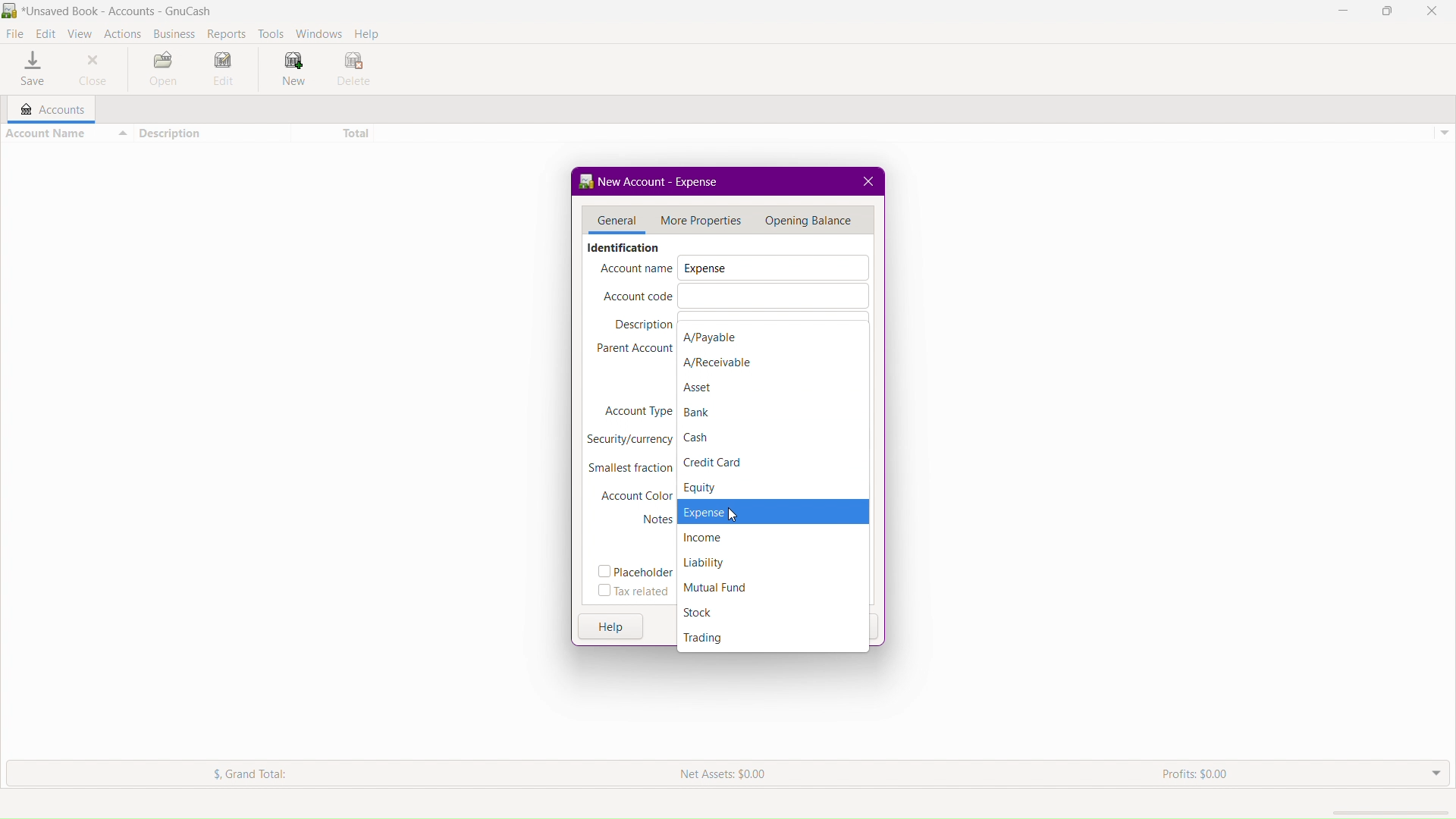 The height and width of the screenshot is (819, 1456). What do you see at coordinates (717, 588) in the screenshot?
I see `Mutual Fund` at bounding box center [717, 588].